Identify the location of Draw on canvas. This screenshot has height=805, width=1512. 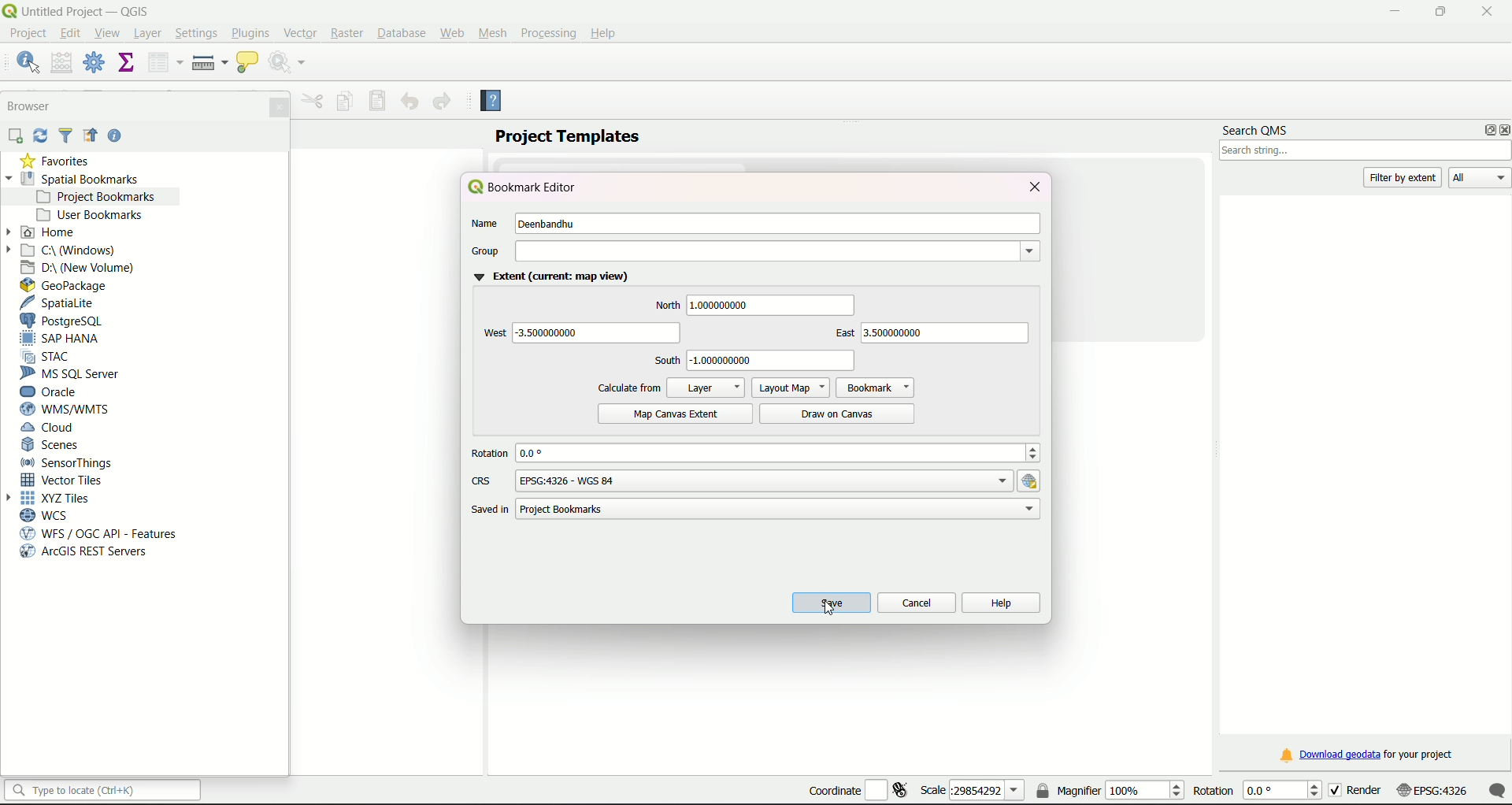
(825, 414).